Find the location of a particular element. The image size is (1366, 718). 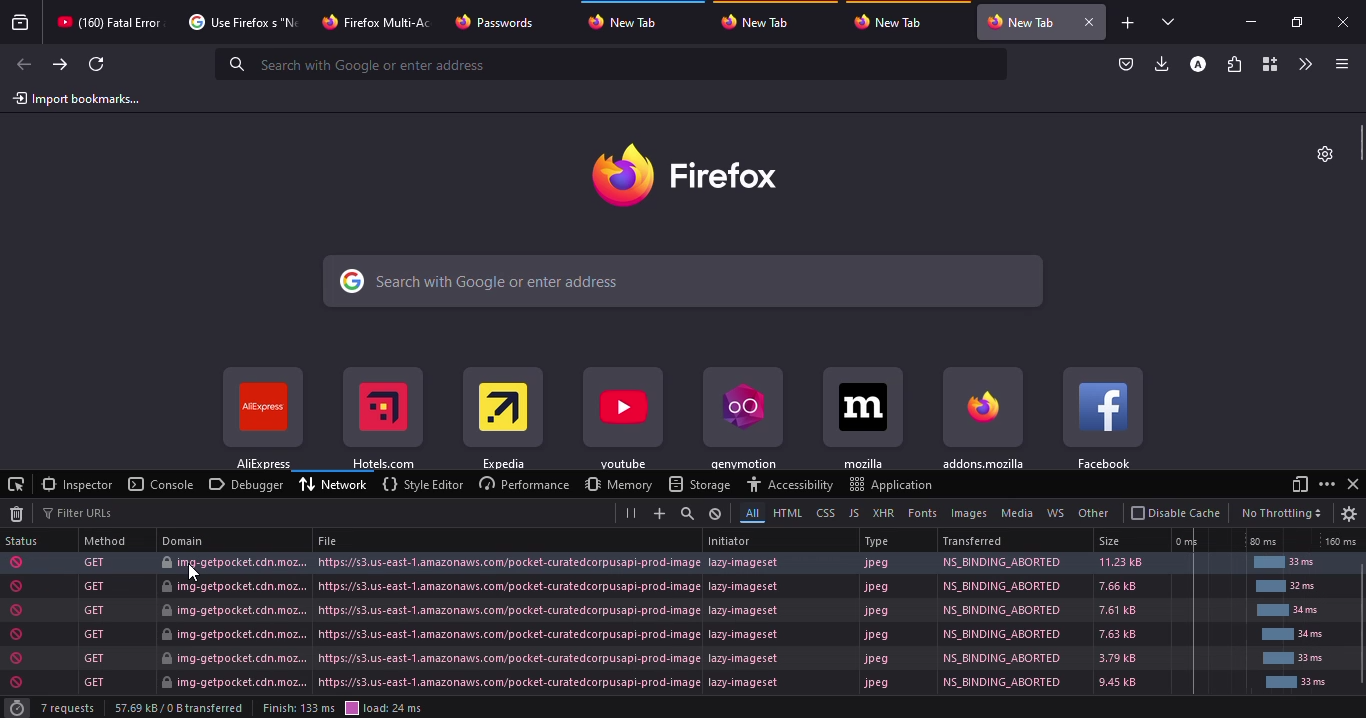

memory is located at coordinates (618, 484).